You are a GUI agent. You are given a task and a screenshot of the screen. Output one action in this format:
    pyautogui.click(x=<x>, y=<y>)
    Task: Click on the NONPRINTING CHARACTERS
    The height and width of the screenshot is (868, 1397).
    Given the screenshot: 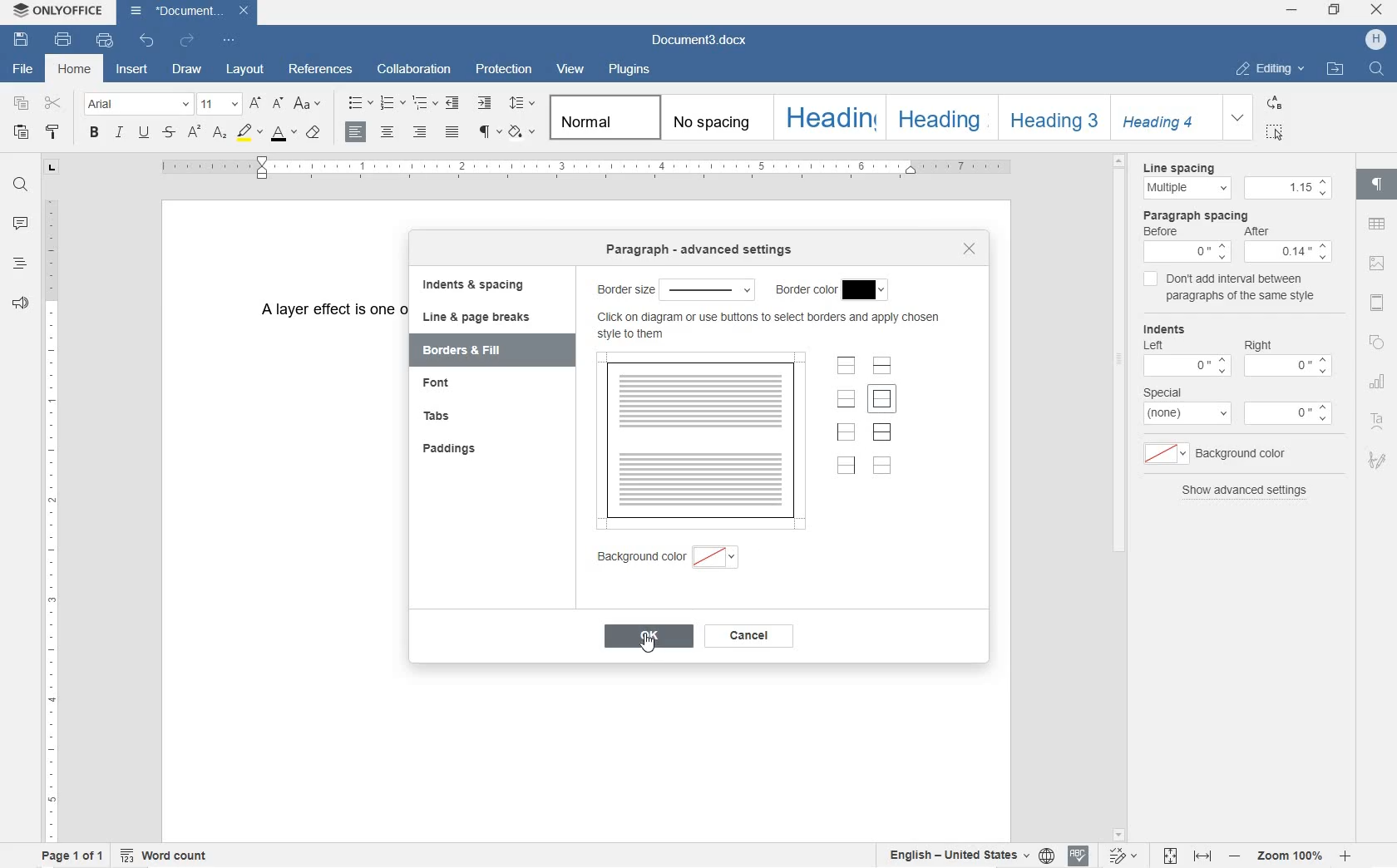 What is the action you would take?
    pyautogui.click(x=490, y=132)
    